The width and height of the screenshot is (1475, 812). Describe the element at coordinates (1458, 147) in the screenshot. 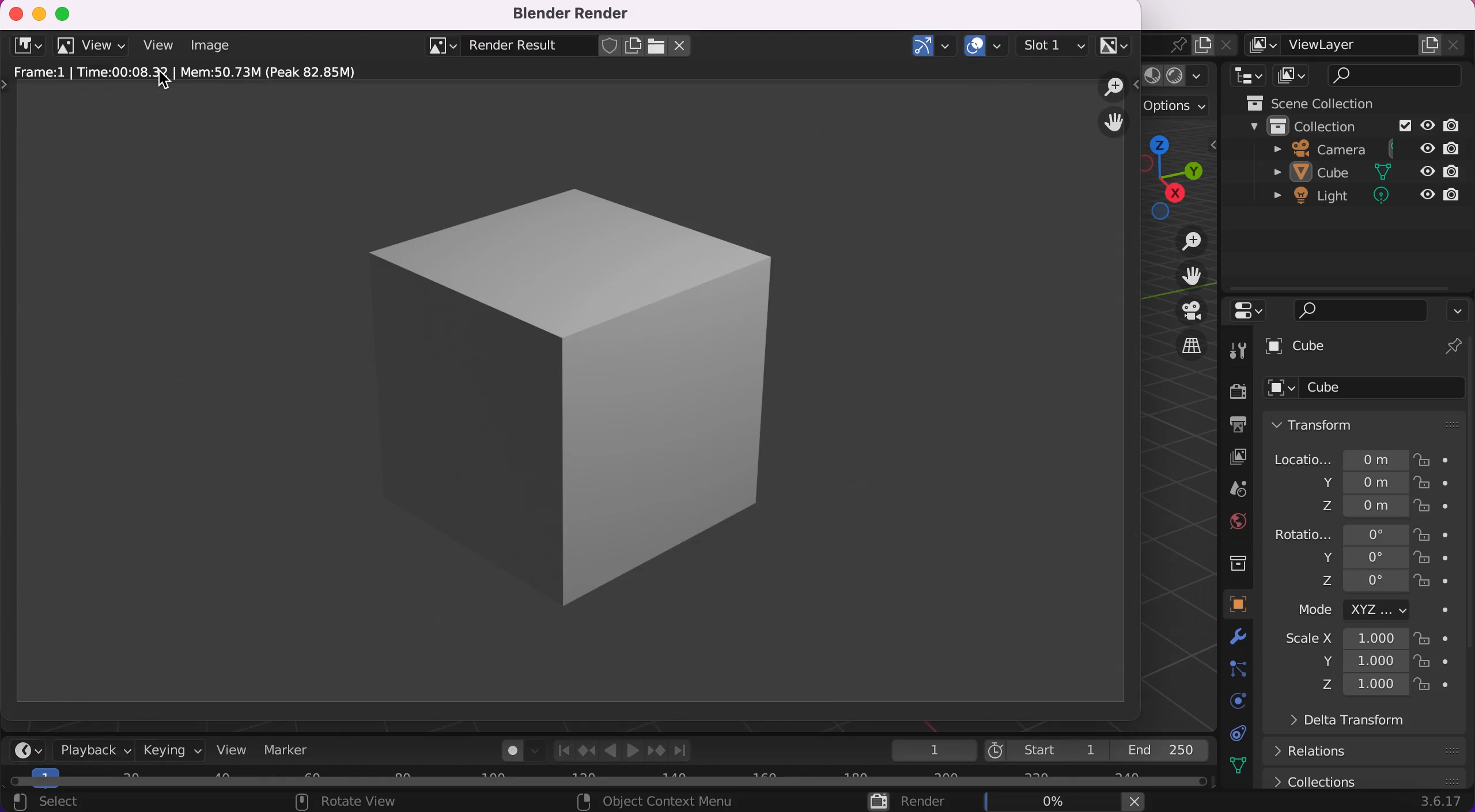

I see `disable in render` at that location.